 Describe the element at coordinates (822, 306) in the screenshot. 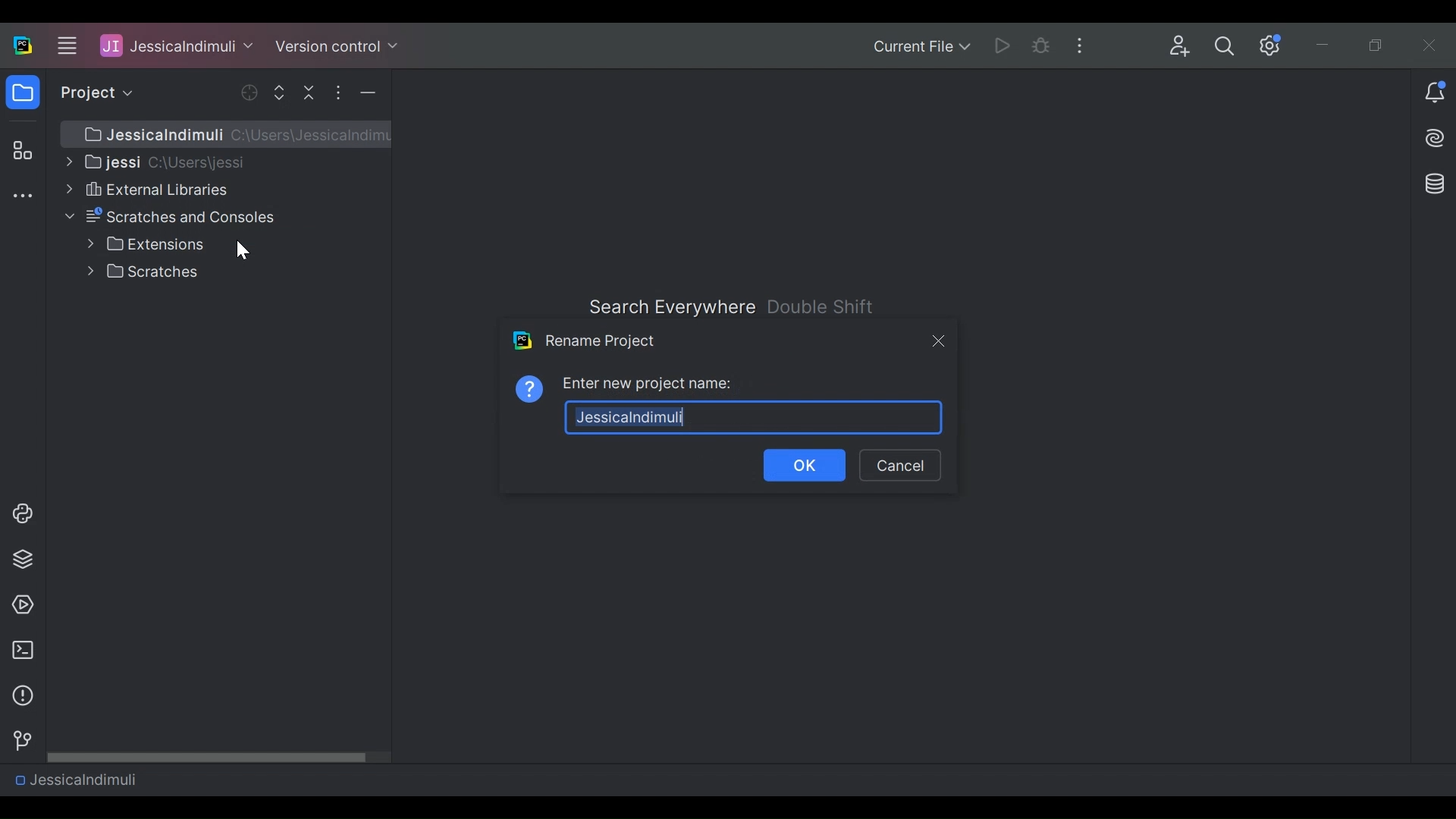

I see `shortcut` at that location.